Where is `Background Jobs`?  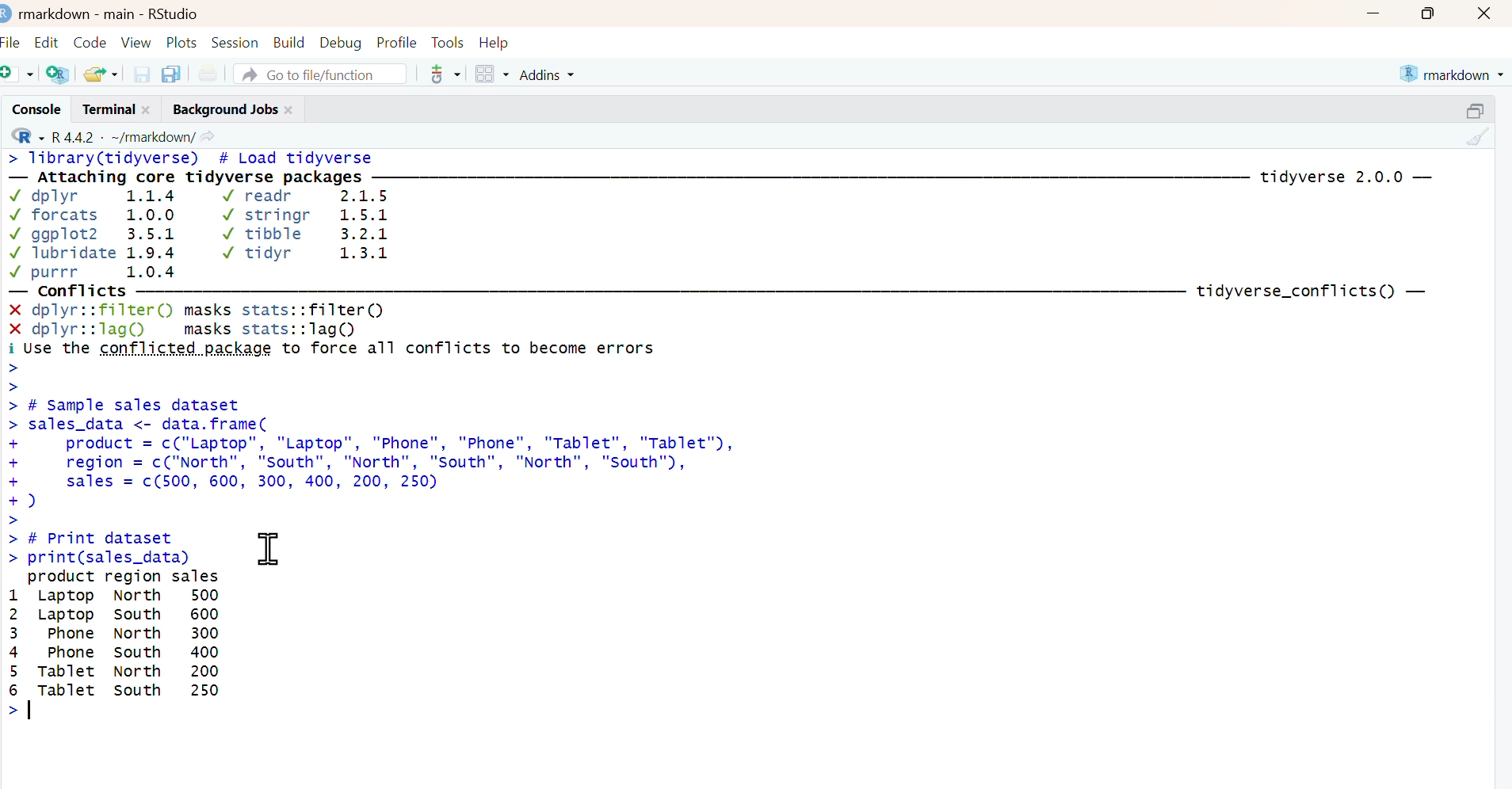 Background Jobs is located at coordinates (223, 108).